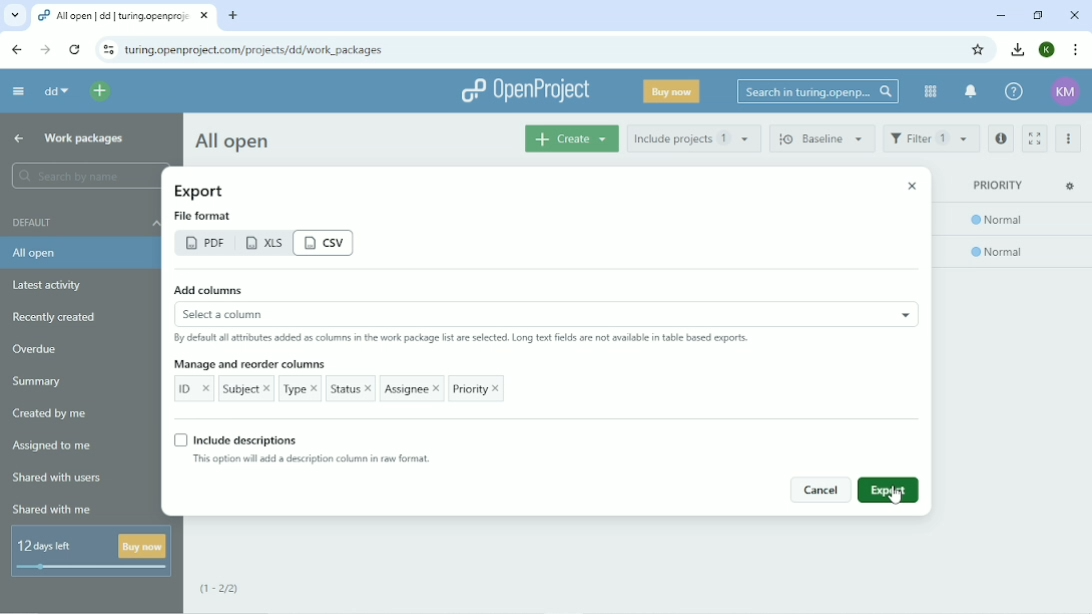 Image resolution: width=1092 pixels, height=614 pixels. Describe the element at coordinates (59, 316) in the screenshot. I see `Recently created` at that location.